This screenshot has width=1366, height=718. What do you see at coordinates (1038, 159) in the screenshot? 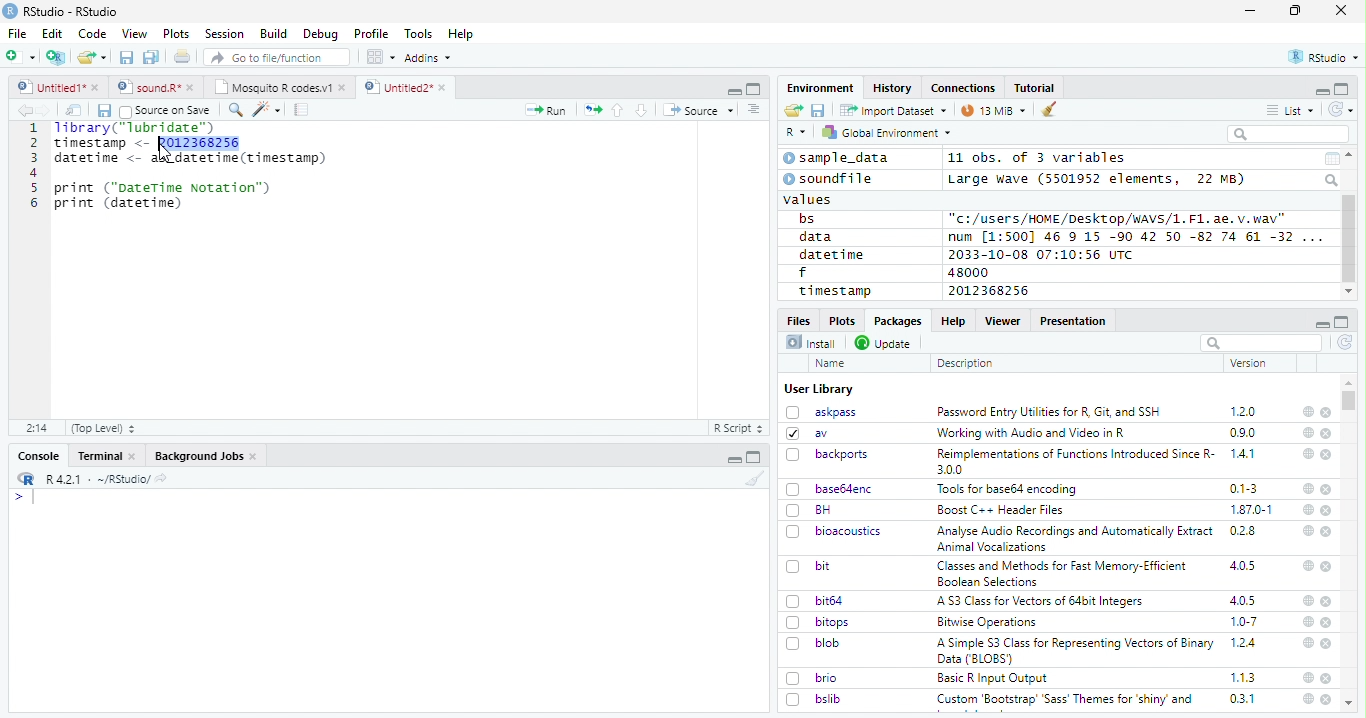
I see `11 obs. of 3 variables` at bounding box center [1038, 159].